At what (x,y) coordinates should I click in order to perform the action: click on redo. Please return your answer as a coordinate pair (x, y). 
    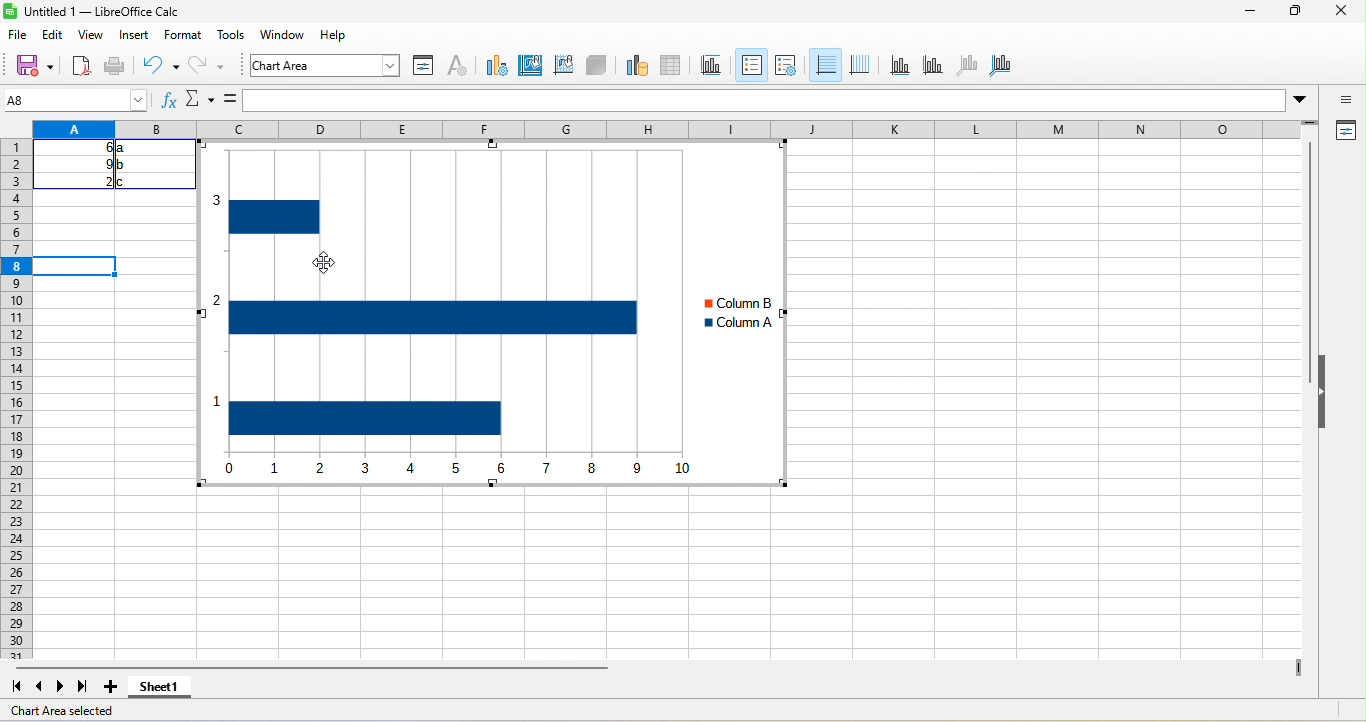
    Looking at the image, I should click on (208, 66).